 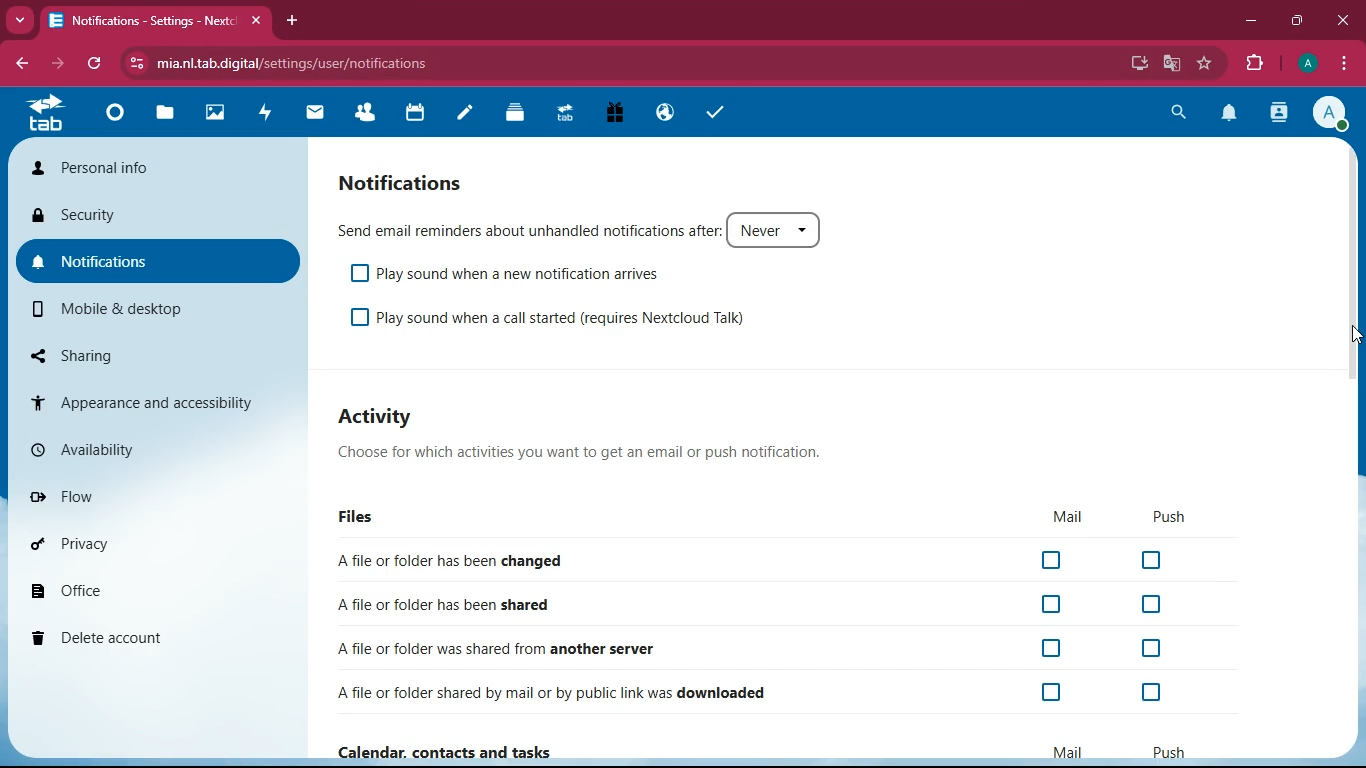 I want to click on close, so click(x=1342, y=20).